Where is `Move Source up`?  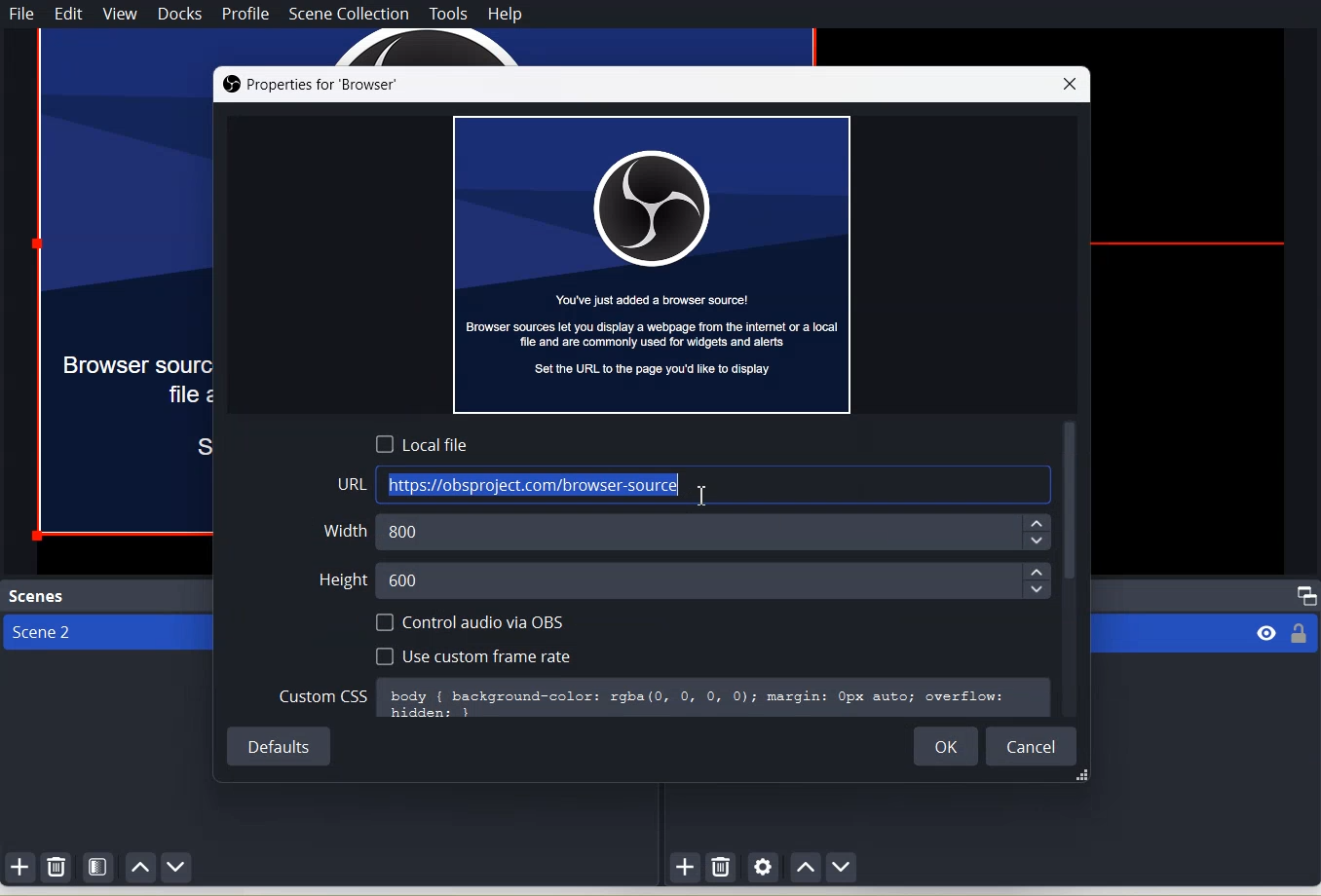 Move Source up is located at coordinates (804, 867).